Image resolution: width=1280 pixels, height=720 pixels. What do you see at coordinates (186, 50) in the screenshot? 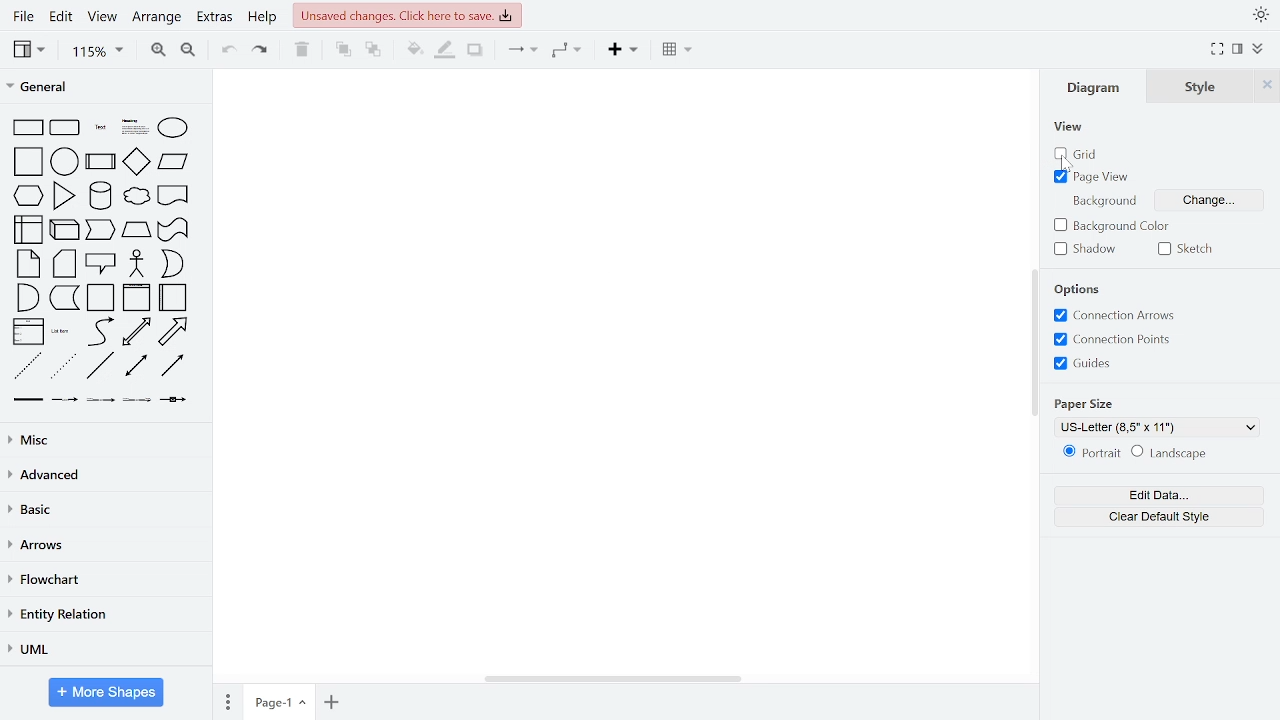
I see `zoom out` at bounding box center [186, 50].